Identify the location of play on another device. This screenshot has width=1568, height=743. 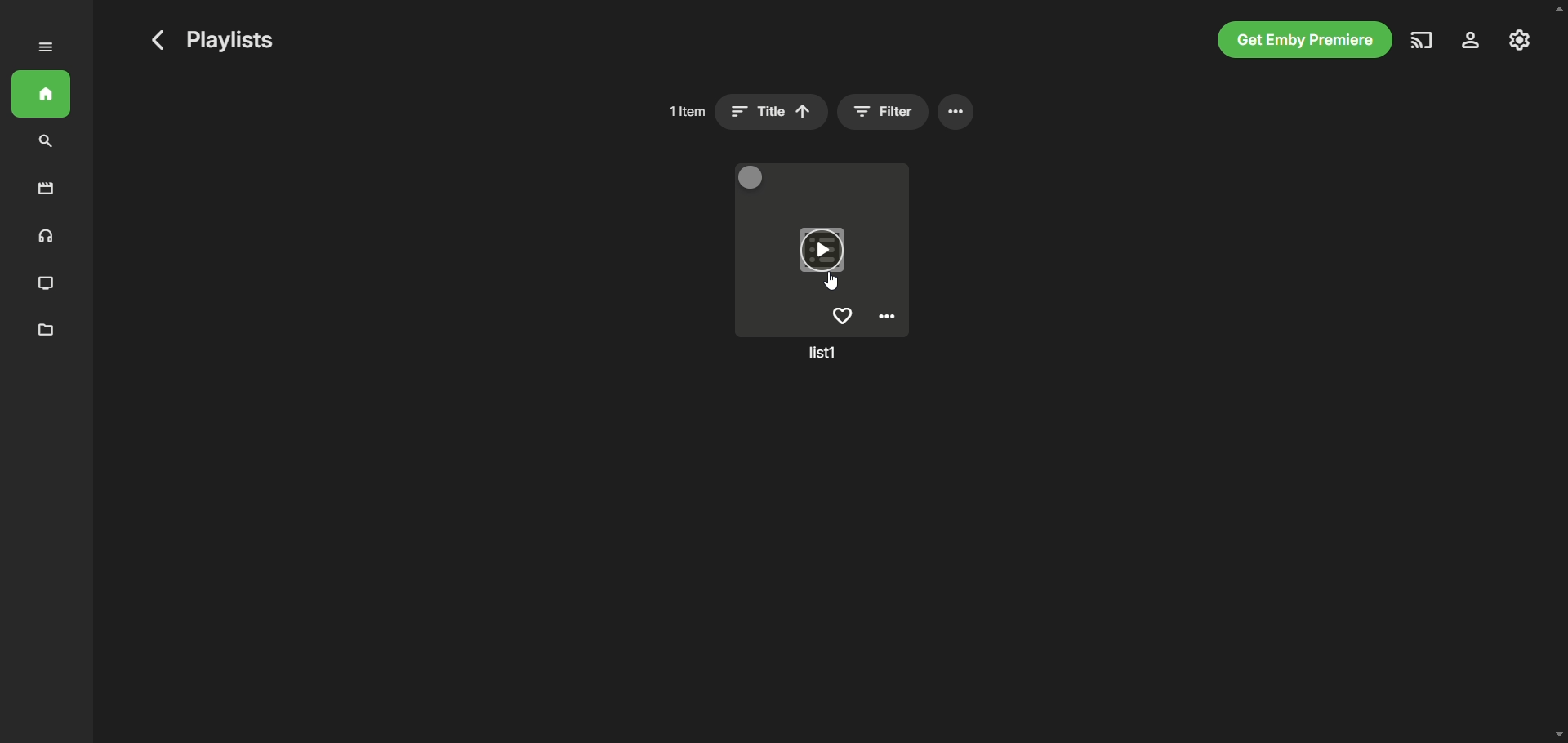
(1423, 40).